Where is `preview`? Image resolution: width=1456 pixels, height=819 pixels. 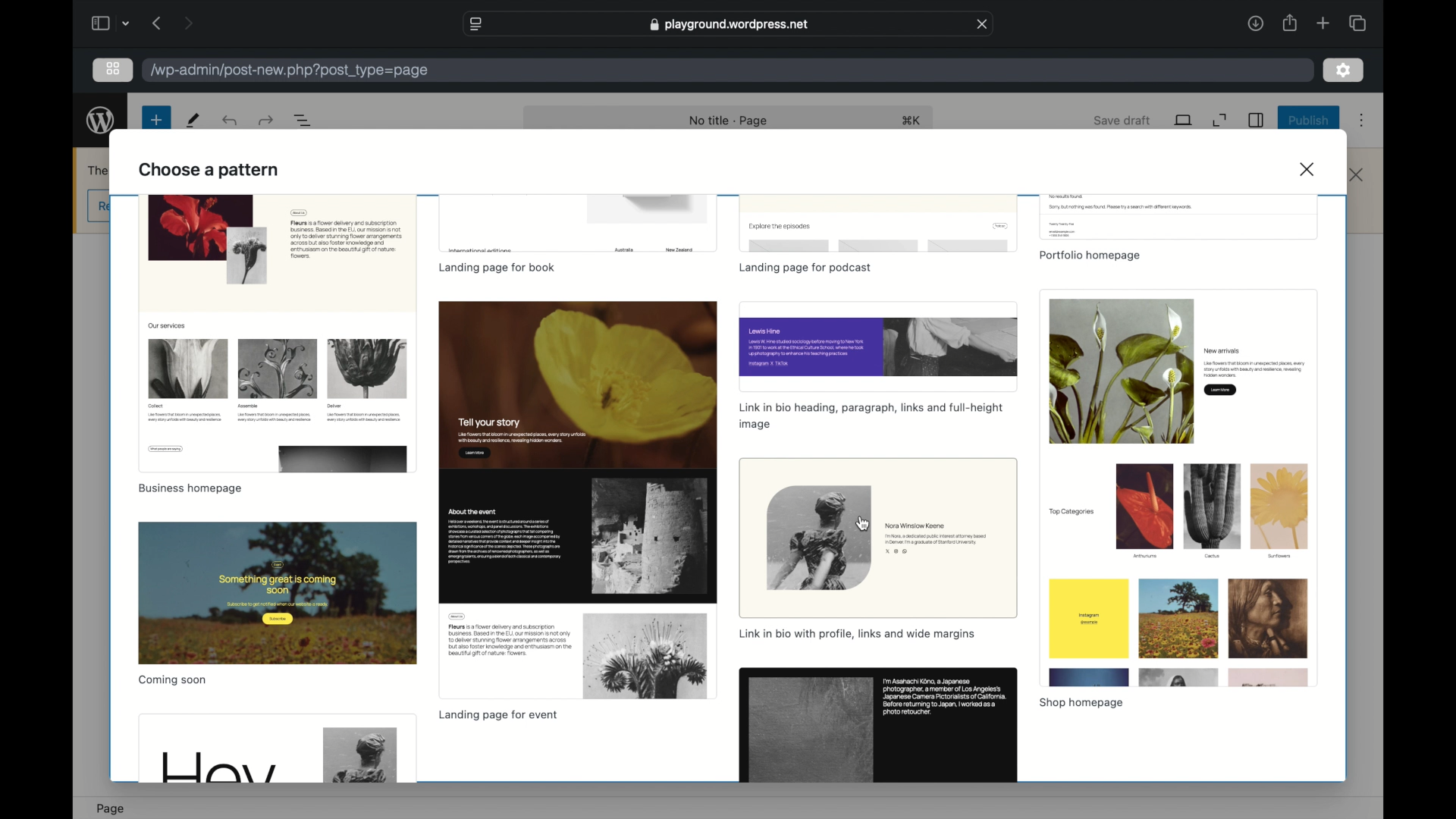 preview is located at coordinates (278, 593).